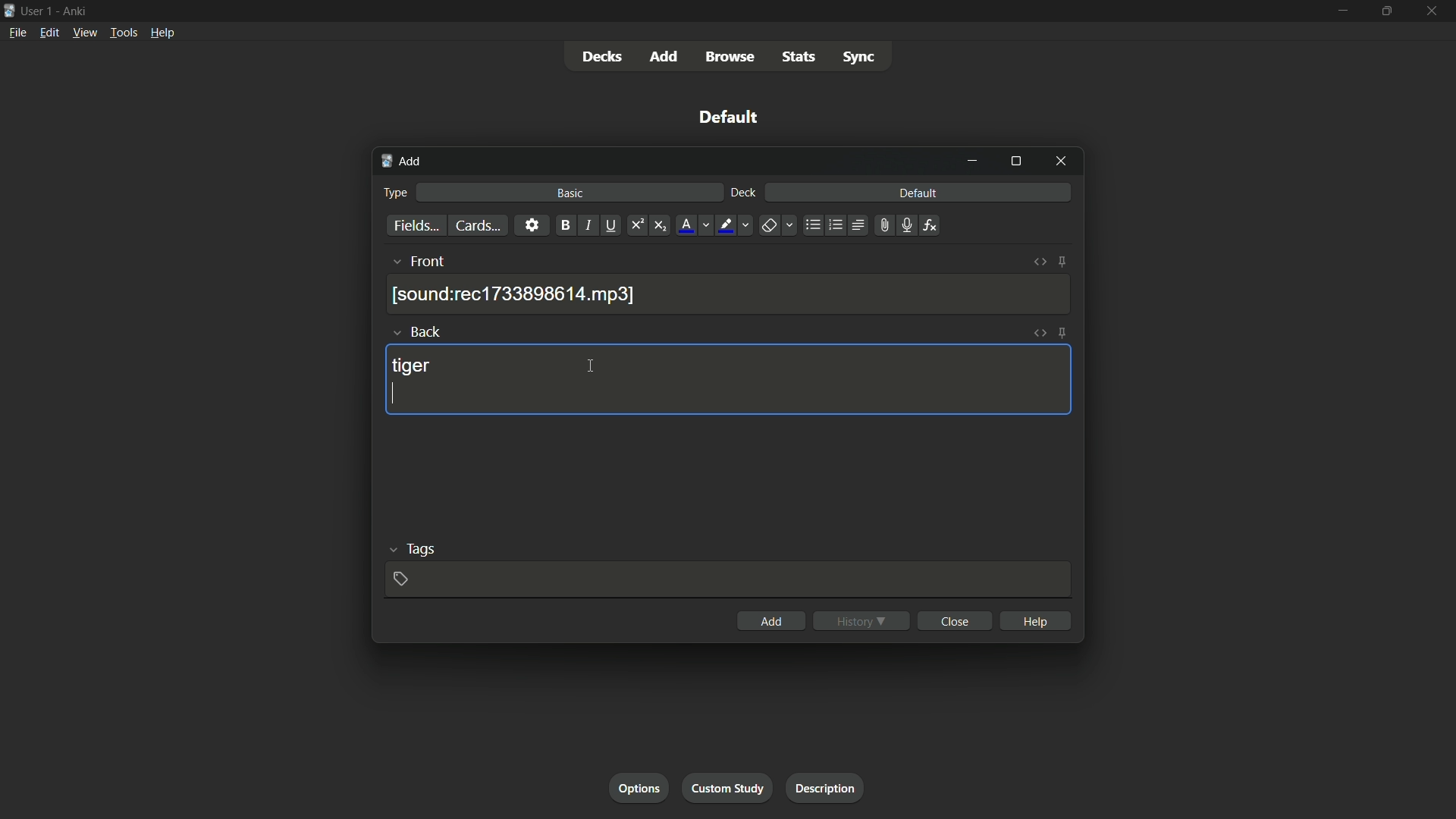 The image size is (1456, 819). I want to click on add, so click(401, 162).